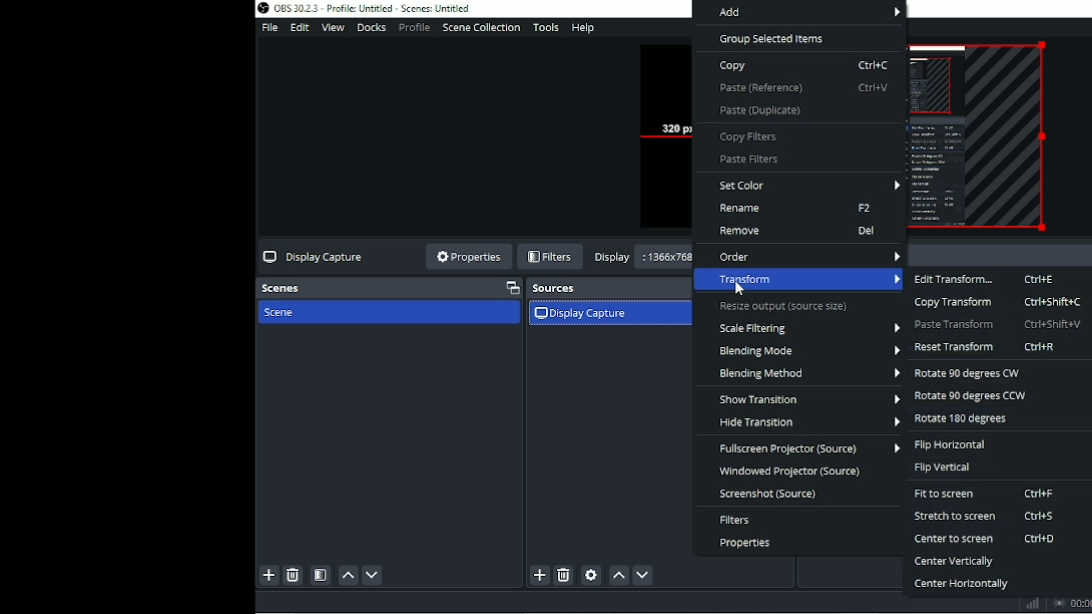  What do you see at coordinates (414, 28) in the screenshot?
I see `Profile` at bounding box center [414, 28].